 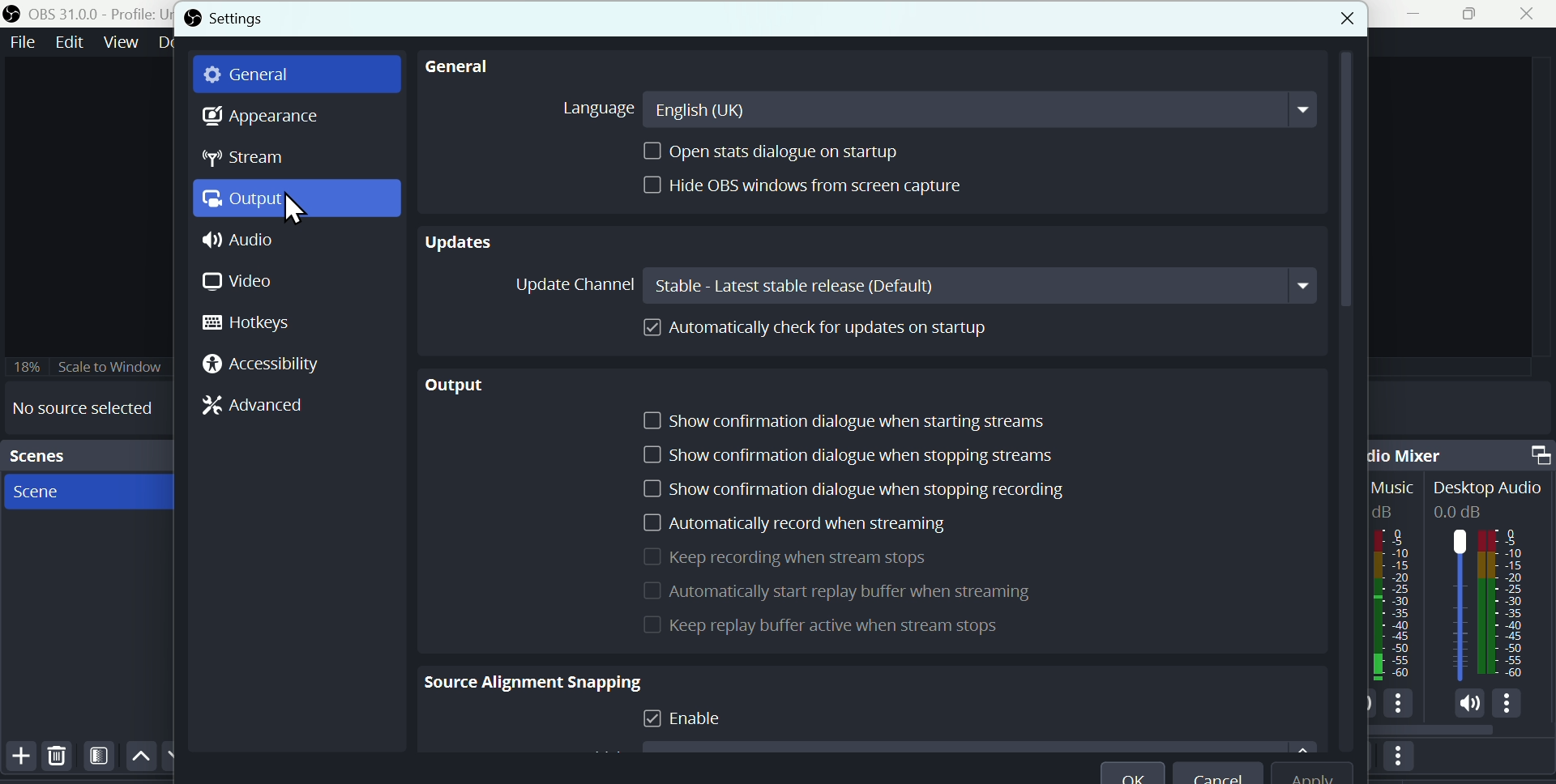 I want to click on  Scale to window, so click(x=87, y=366).